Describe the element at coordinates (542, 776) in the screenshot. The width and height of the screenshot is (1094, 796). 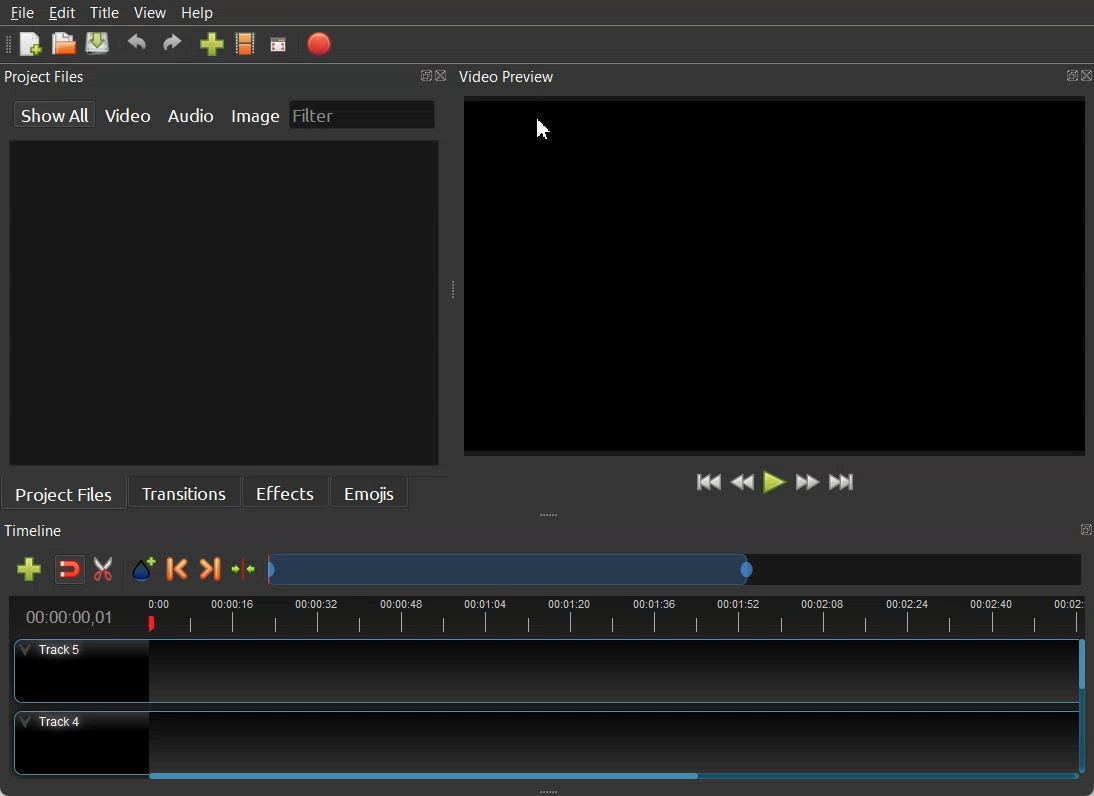
I see `Horizontal Scroll bar ` at that location.